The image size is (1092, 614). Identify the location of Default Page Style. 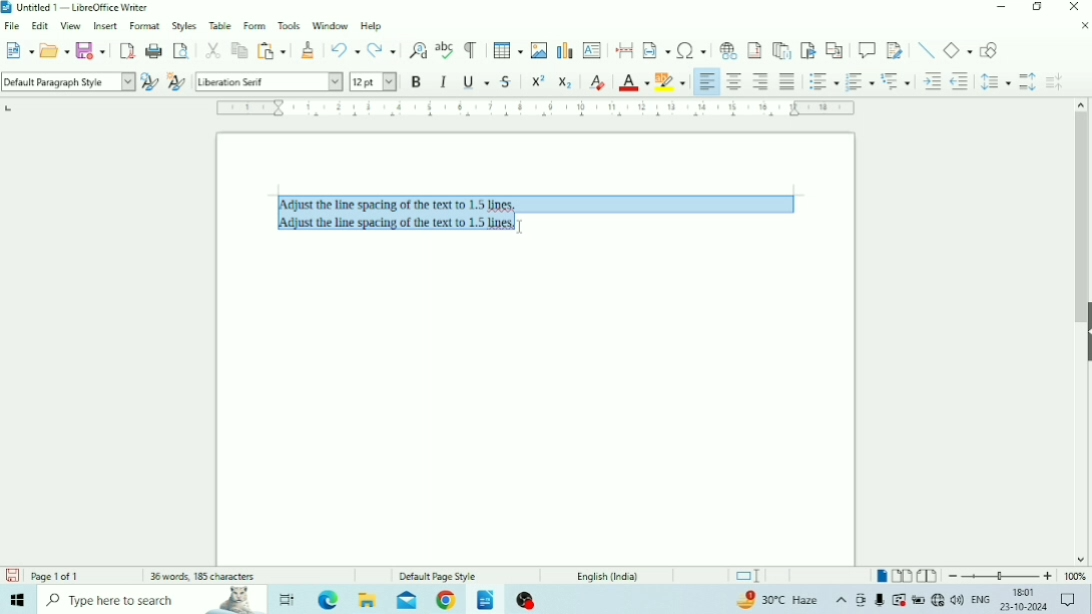
(438, 575).